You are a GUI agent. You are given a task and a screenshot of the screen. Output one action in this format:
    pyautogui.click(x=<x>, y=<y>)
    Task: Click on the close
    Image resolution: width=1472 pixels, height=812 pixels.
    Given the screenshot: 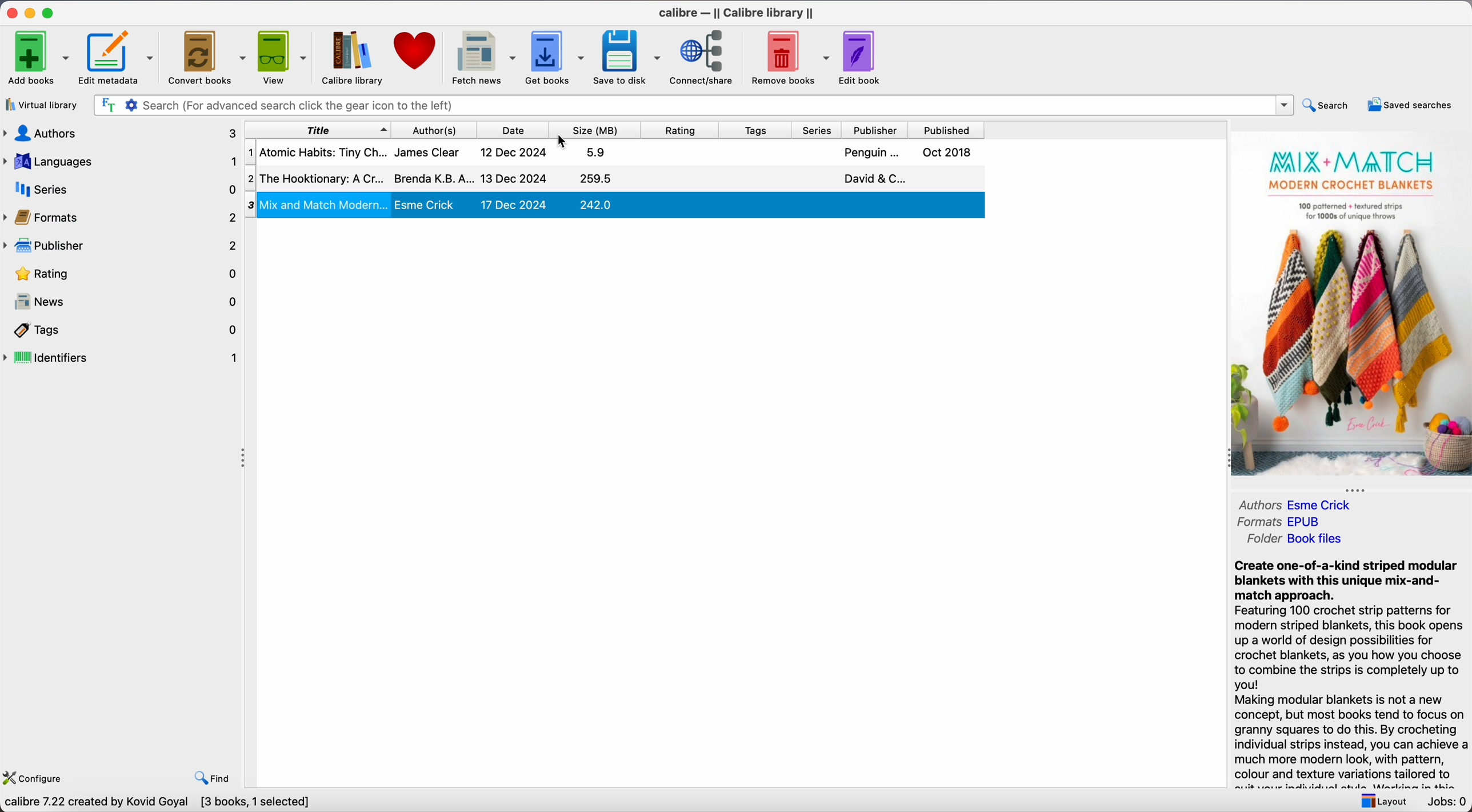 What is the action you would take?
    pyautogui.click(x=10, y=13)
    